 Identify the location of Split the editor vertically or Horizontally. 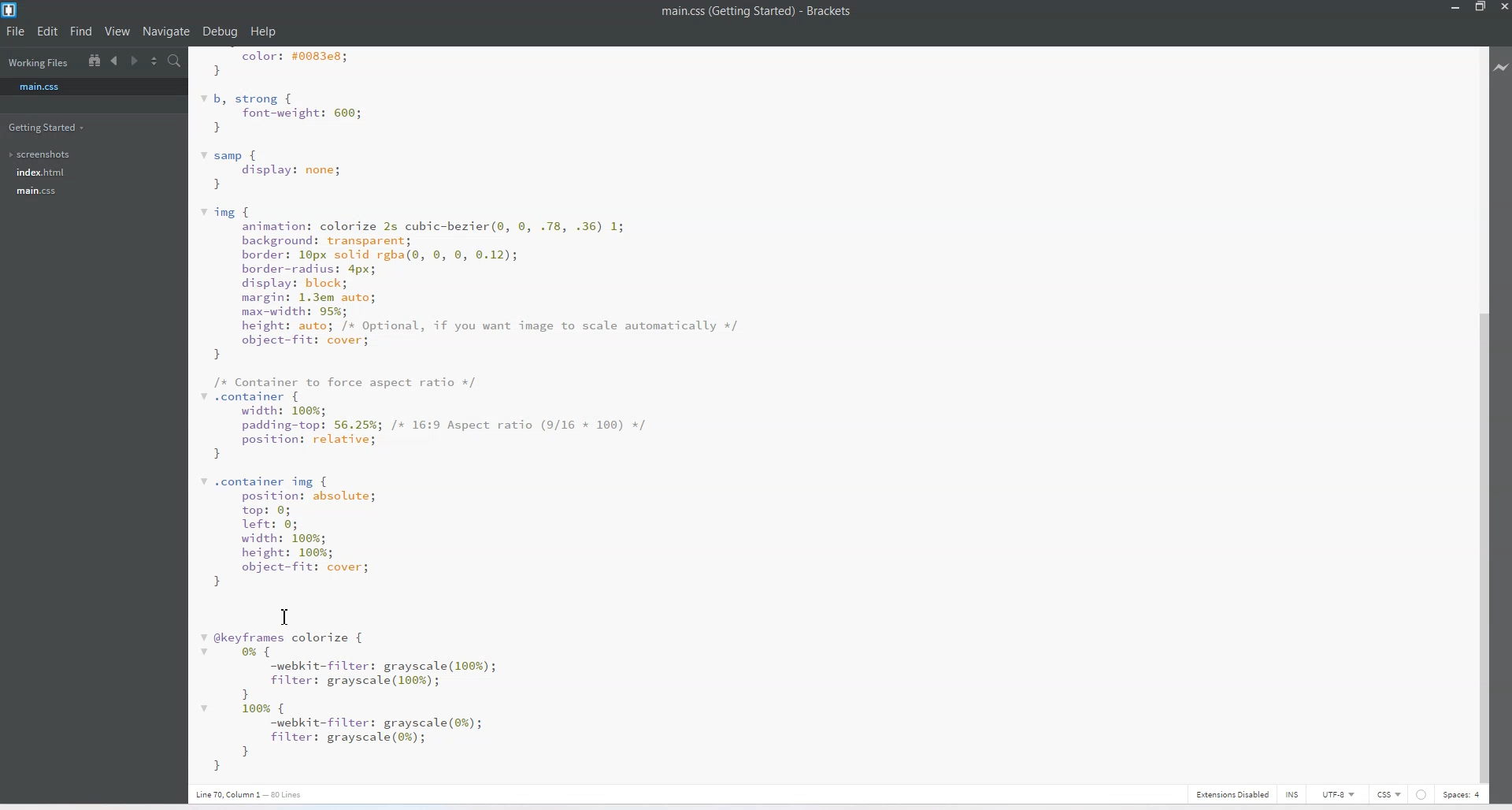
(155, 61).